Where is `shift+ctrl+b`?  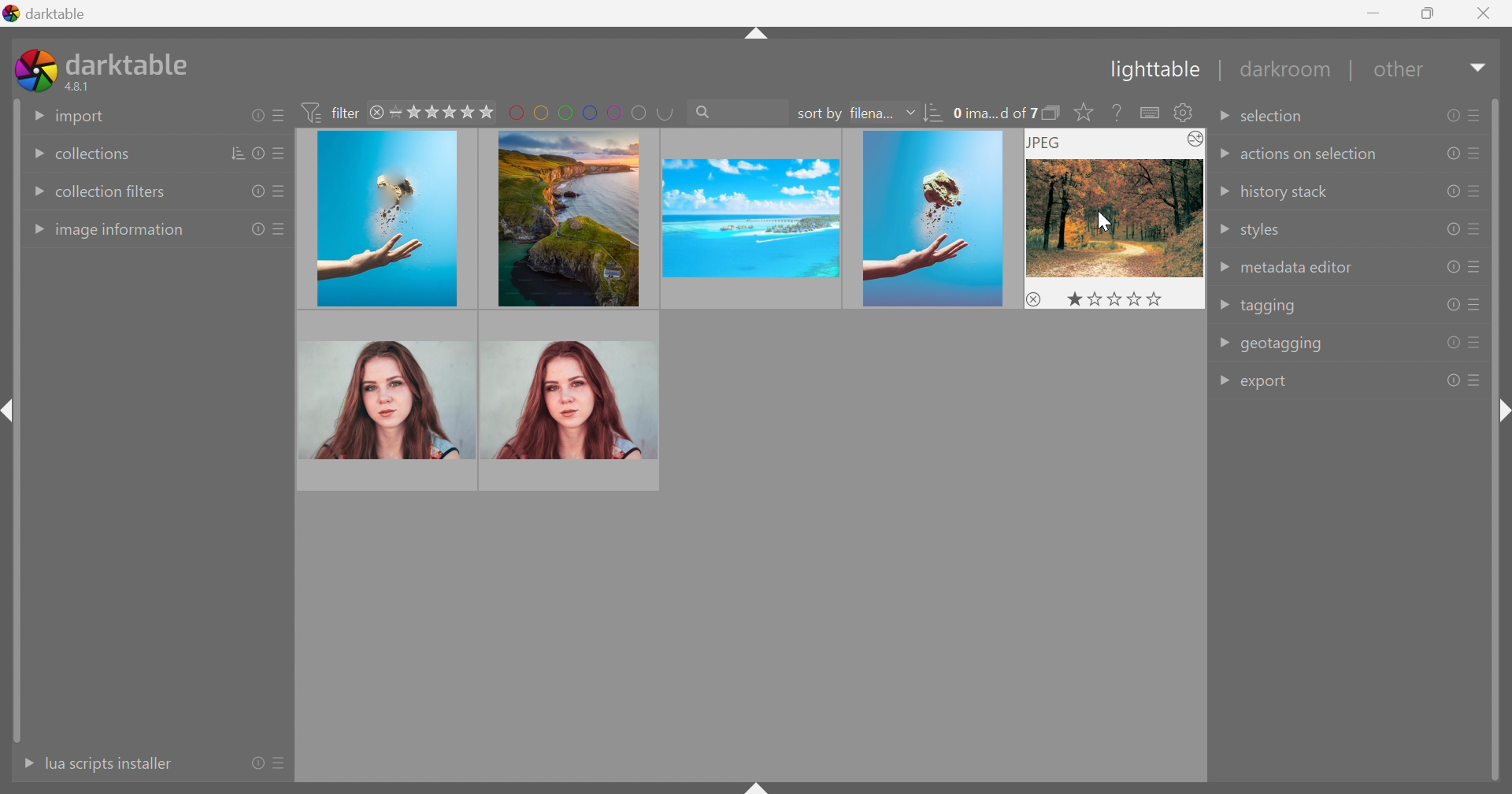
shift+ctrl+b is located at coordinates (758, 785).